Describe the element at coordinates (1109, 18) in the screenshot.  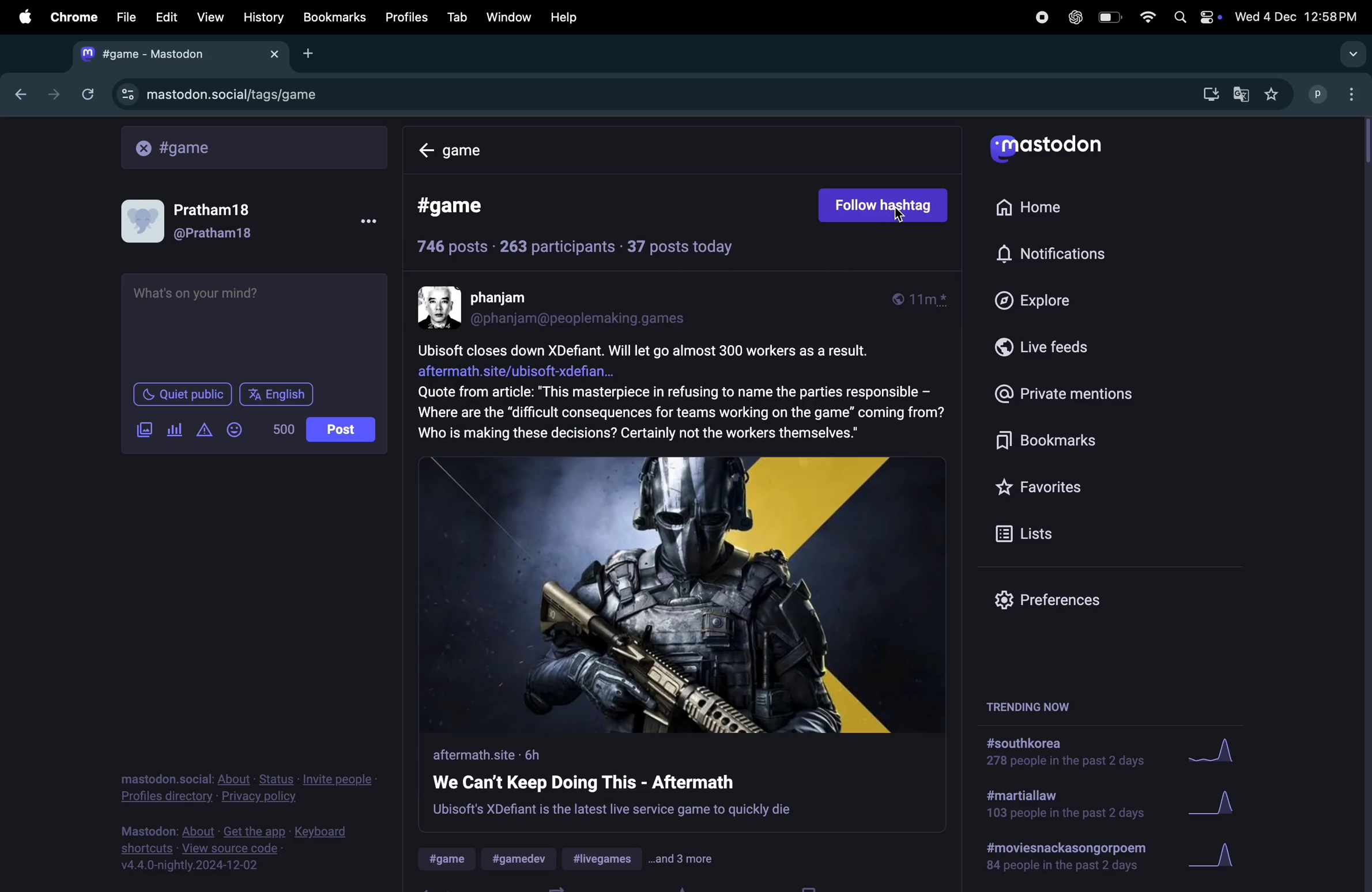
I see `battery` at that location.